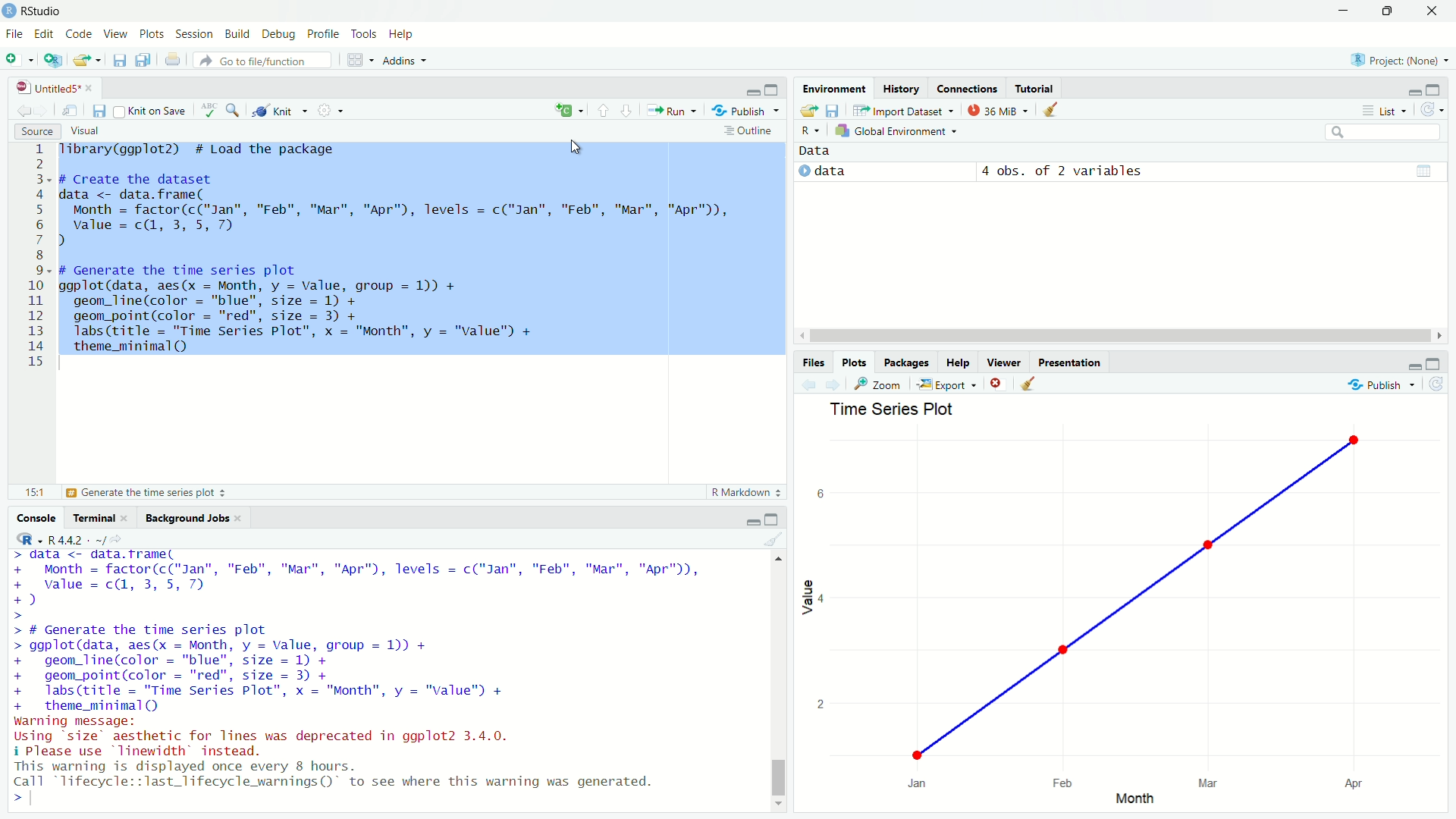  Describe the element at coordinates (1441, 385) in the screenshot. I see `refresh` at that location.